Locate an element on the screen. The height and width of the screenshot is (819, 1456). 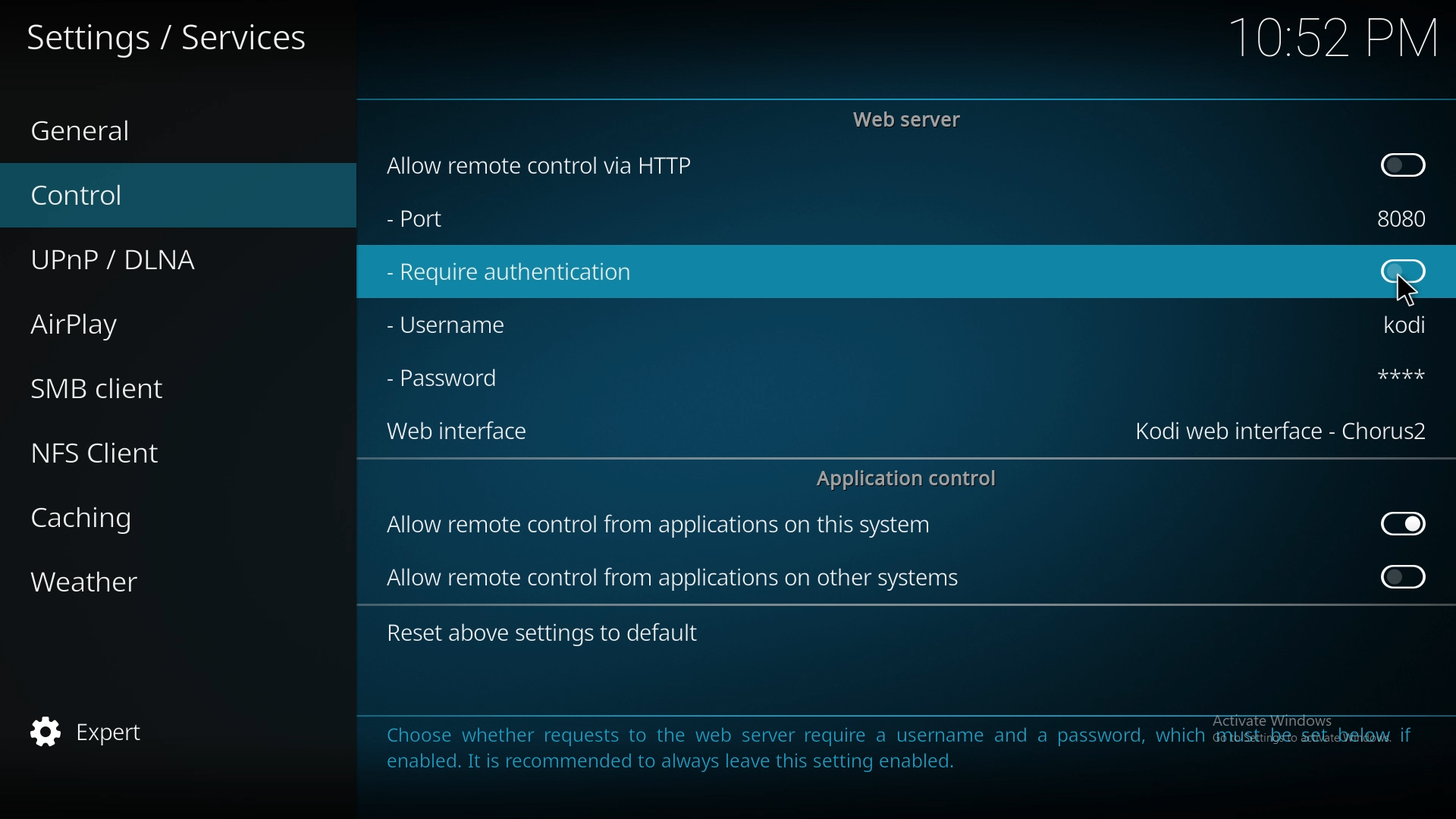
cursor is located at coordinates (1404, 290).